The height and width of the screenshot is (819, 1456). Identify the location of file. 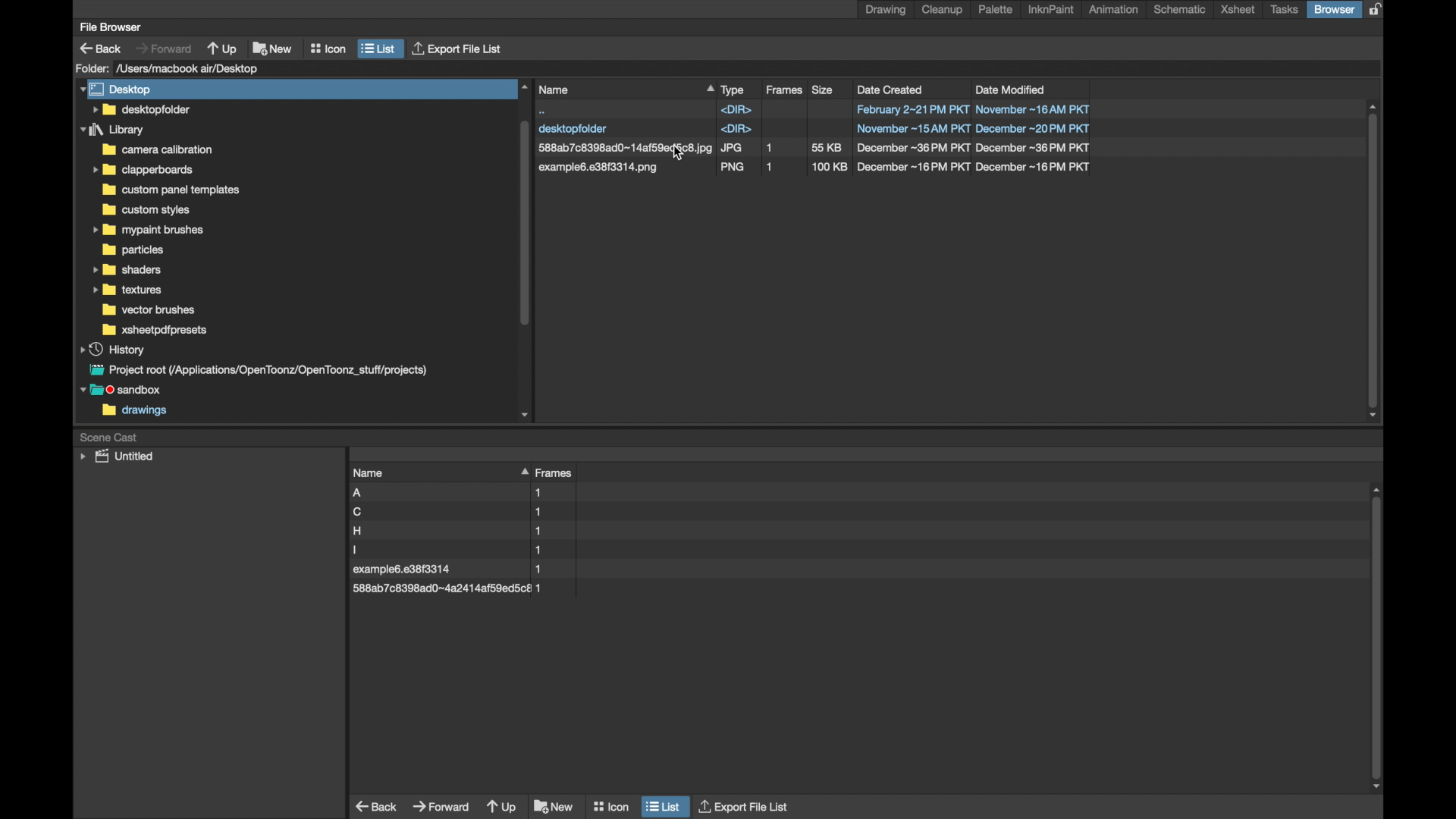
(449, 512).